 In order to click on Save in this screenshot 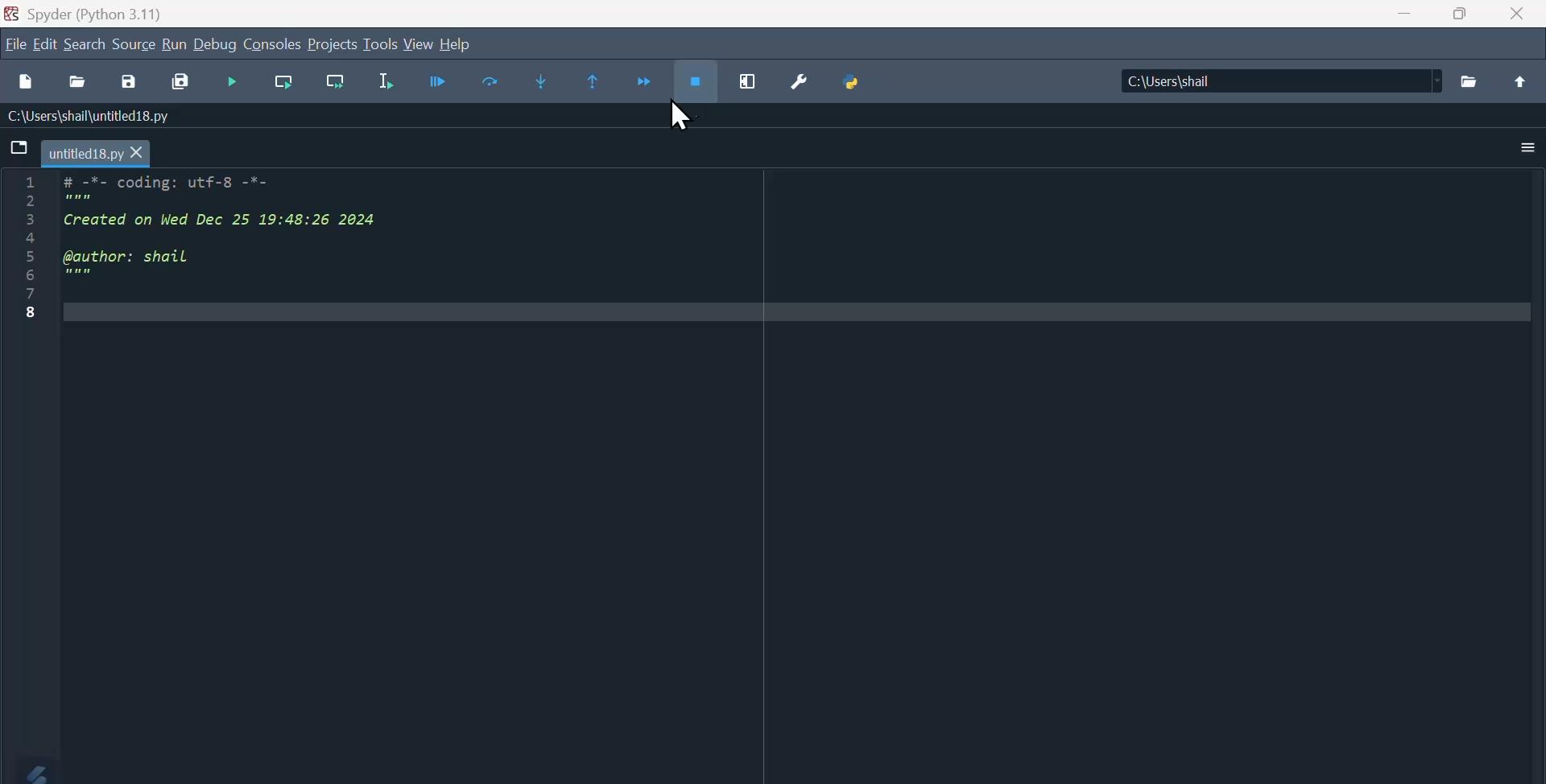, I will do `click(130, 81)`.